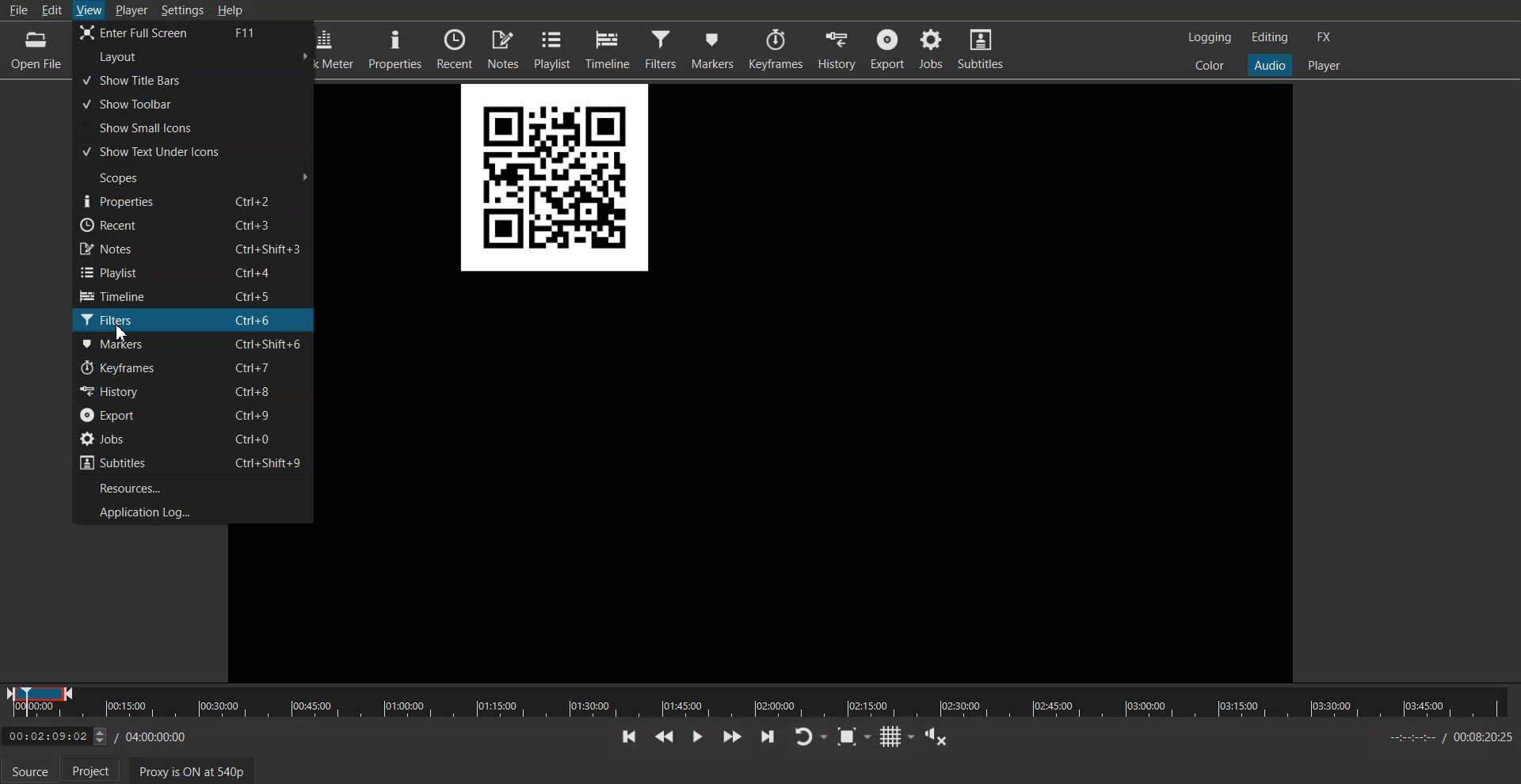  Describe the element at coordinates (117, 334) in the screenshot. I see `cursor` at that location.